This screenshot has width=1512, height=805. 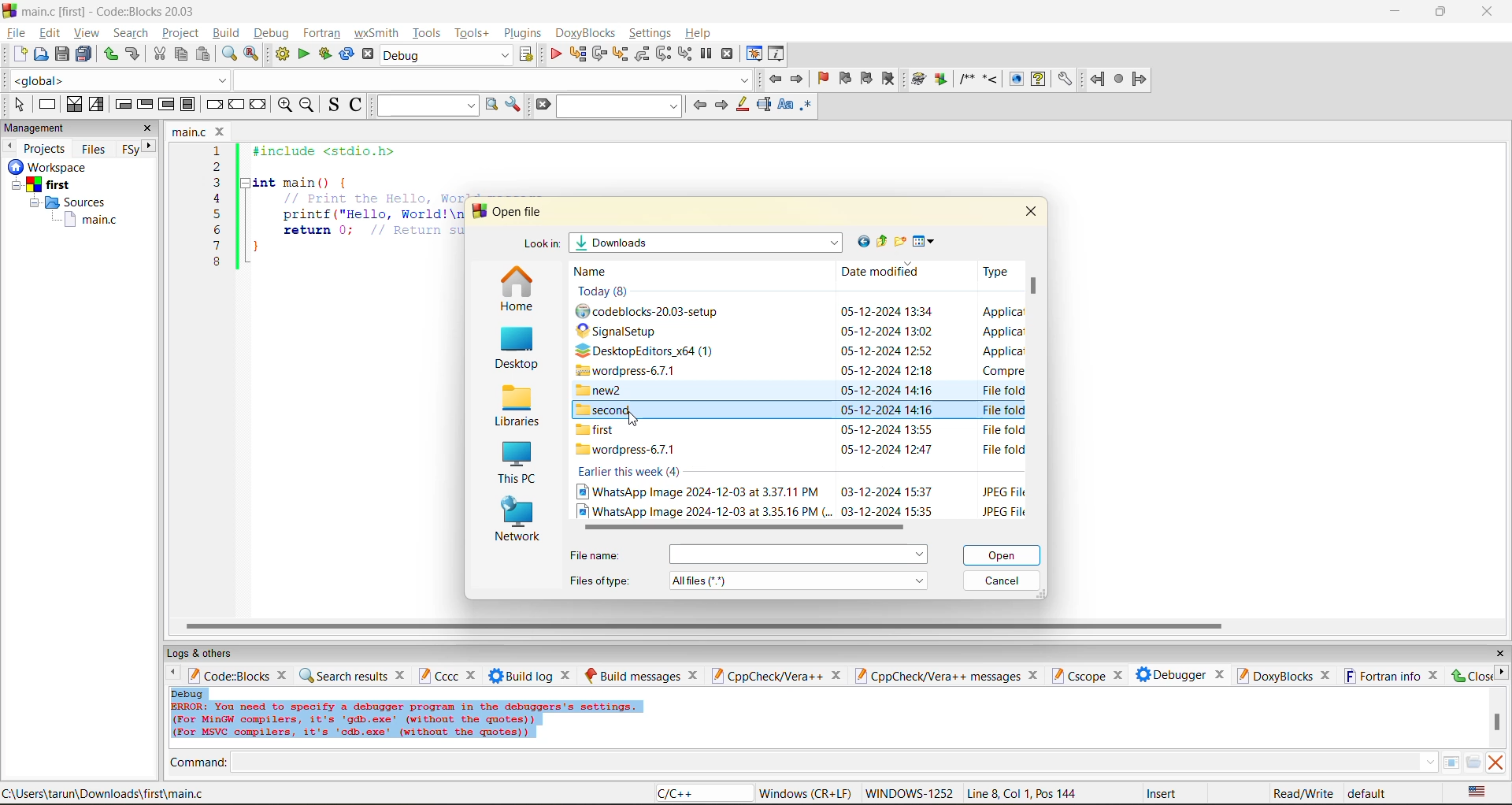 What do you see at coordinates (886, 411) in the screenshot?
I see `date and time` at bounding box center [886, 411].